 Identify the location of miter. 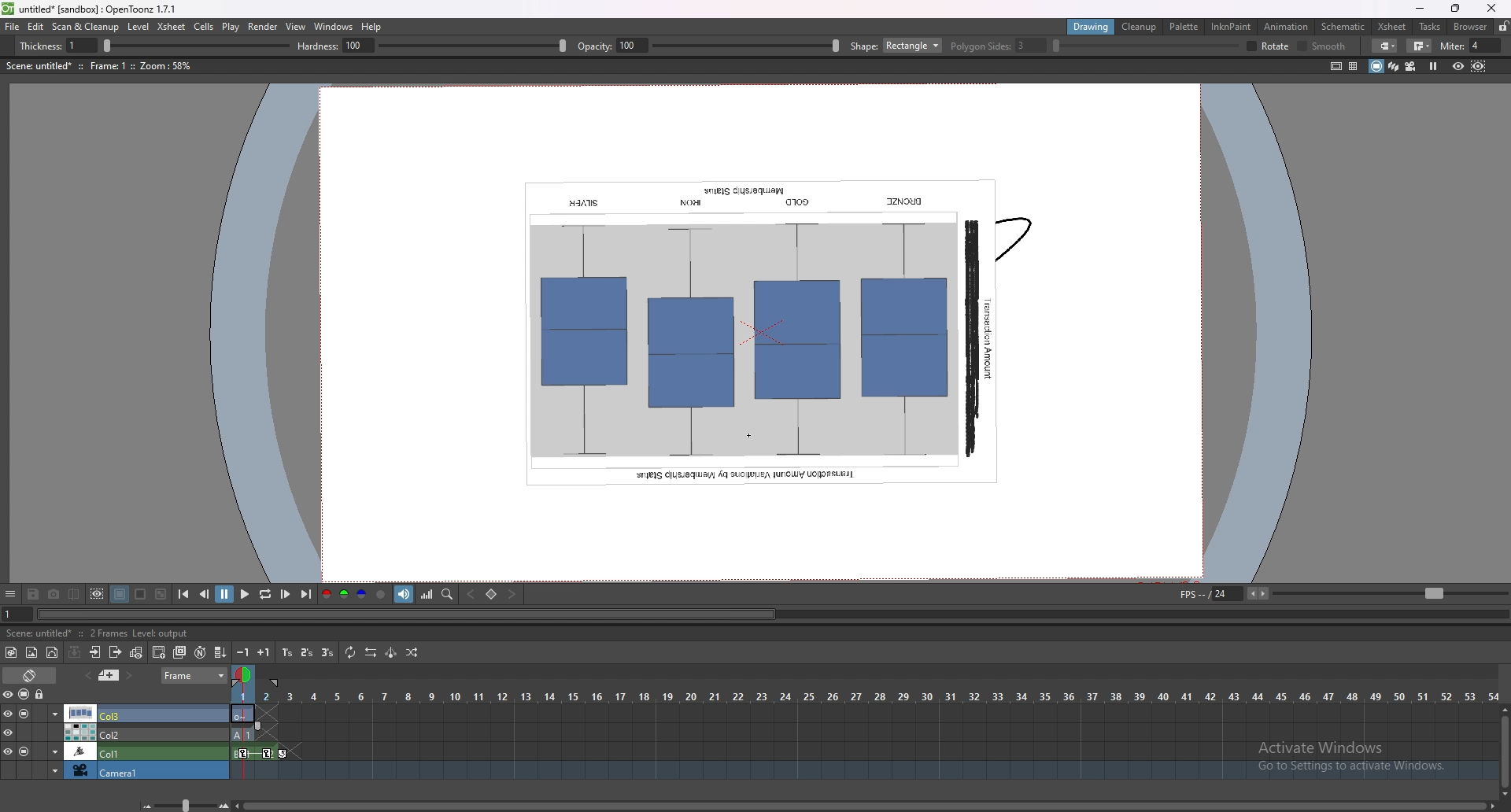
(1364, 46).